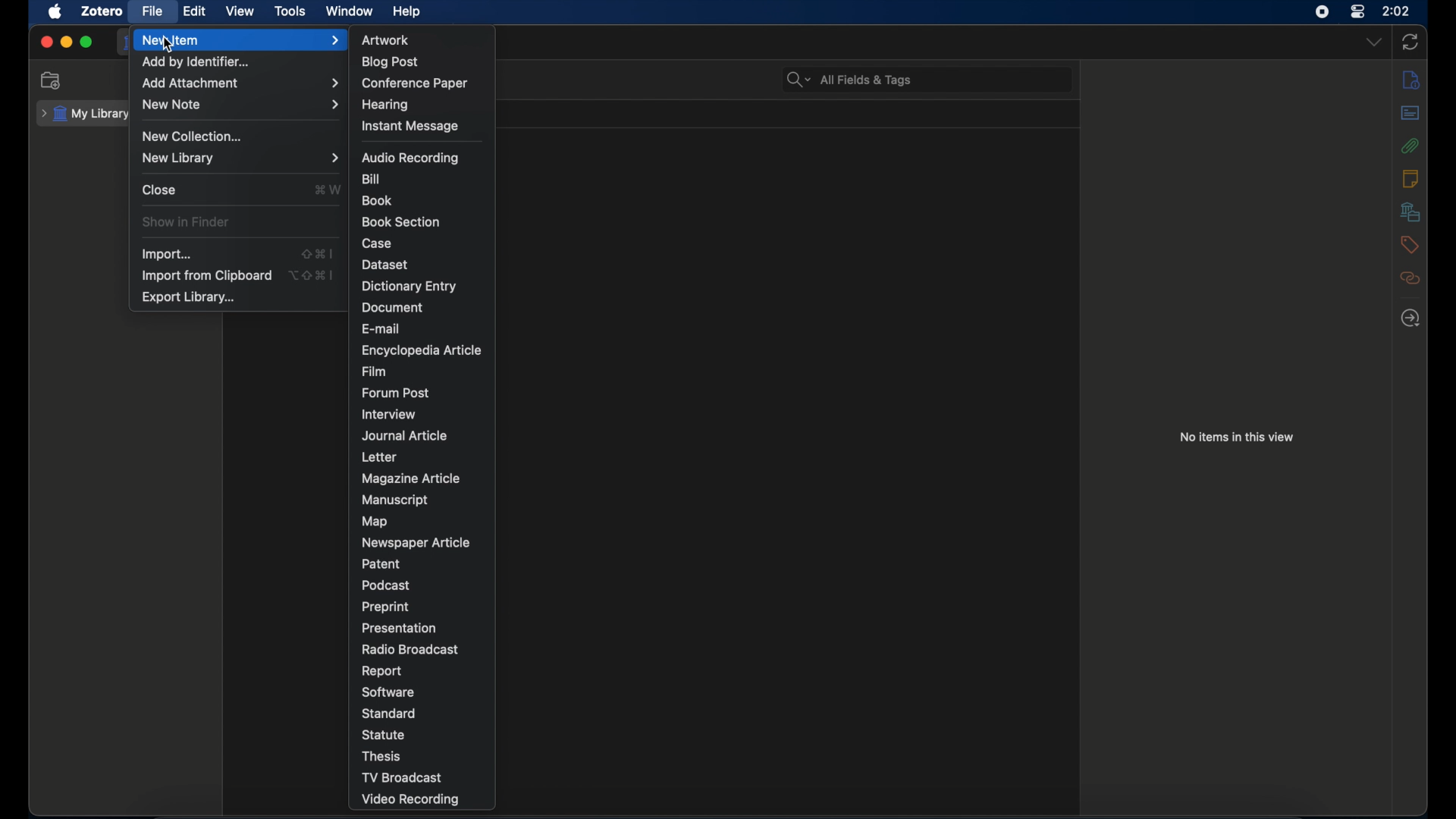 Image resolution: width=1456 pixels, height=819 pixels. Describe the element at coordinates (388, 414) in the screenshot. I see `interview` at that location.